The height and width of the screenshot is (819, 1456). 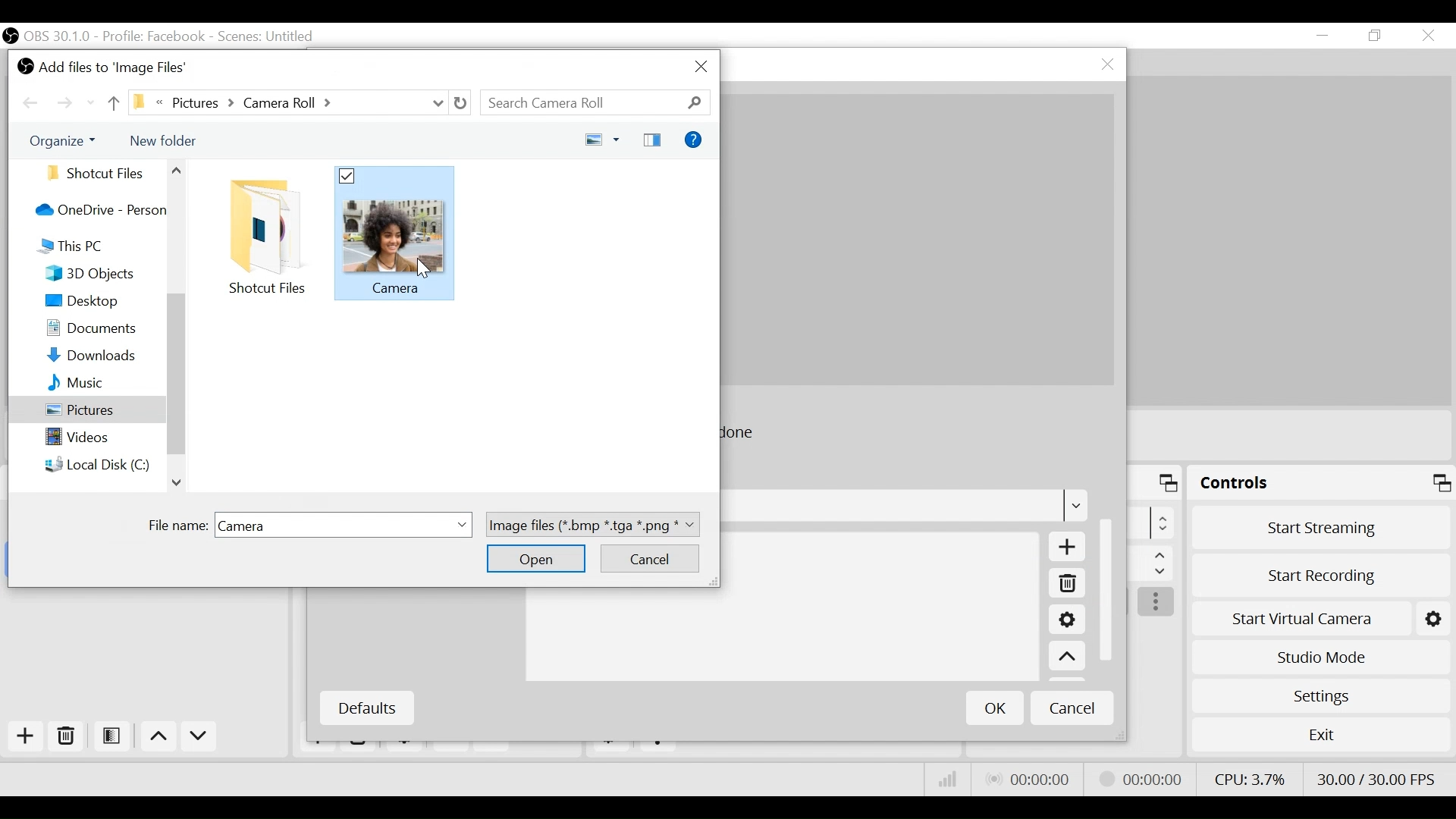 What do you see at coordinates (178, 372) in the screenshot?
I see `Vertical Scroll bar` at bounding box center [178, 372].